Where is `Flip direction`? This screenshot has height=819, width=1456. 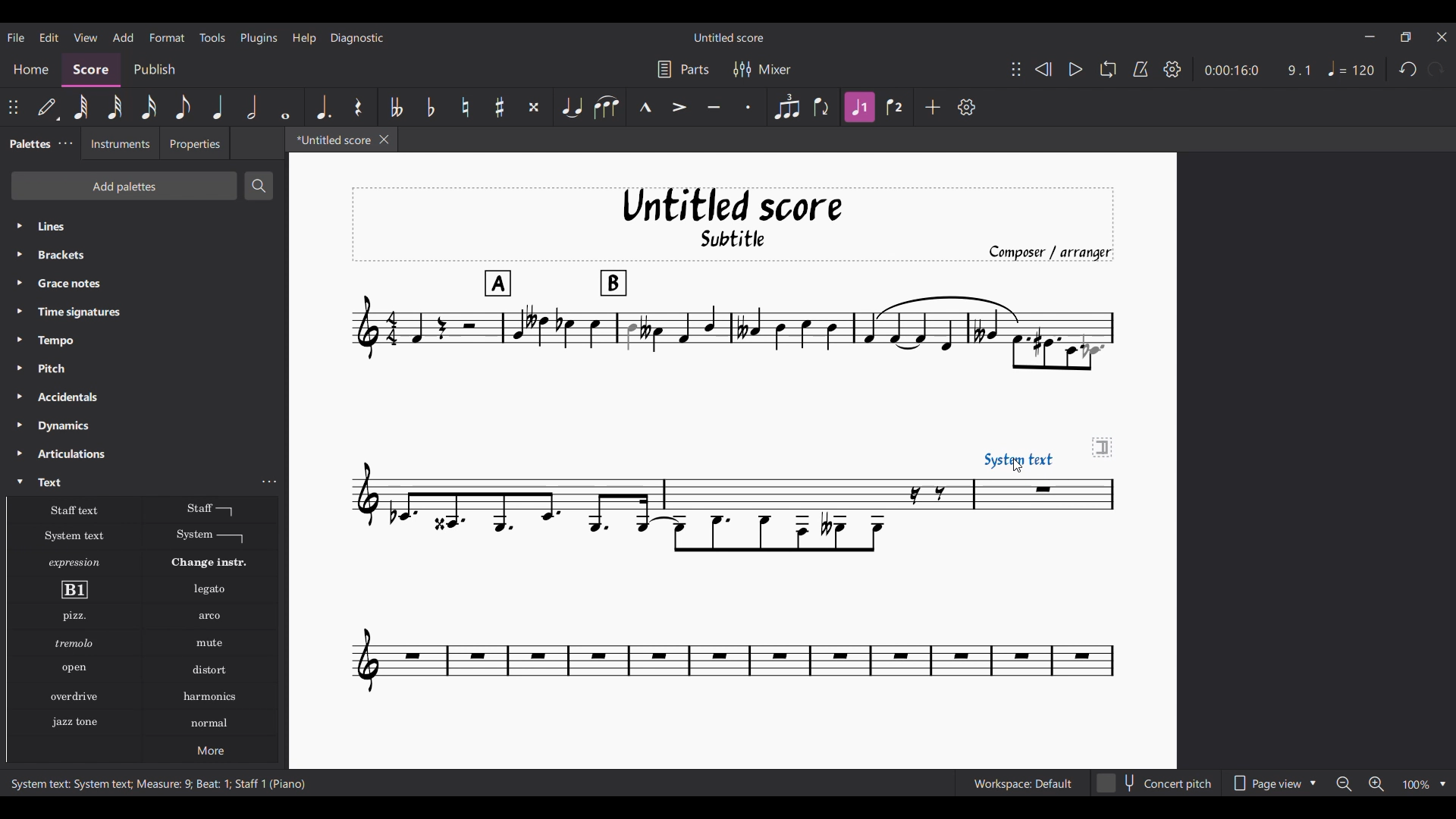 Flip direction is located at coordinates (822, 106).